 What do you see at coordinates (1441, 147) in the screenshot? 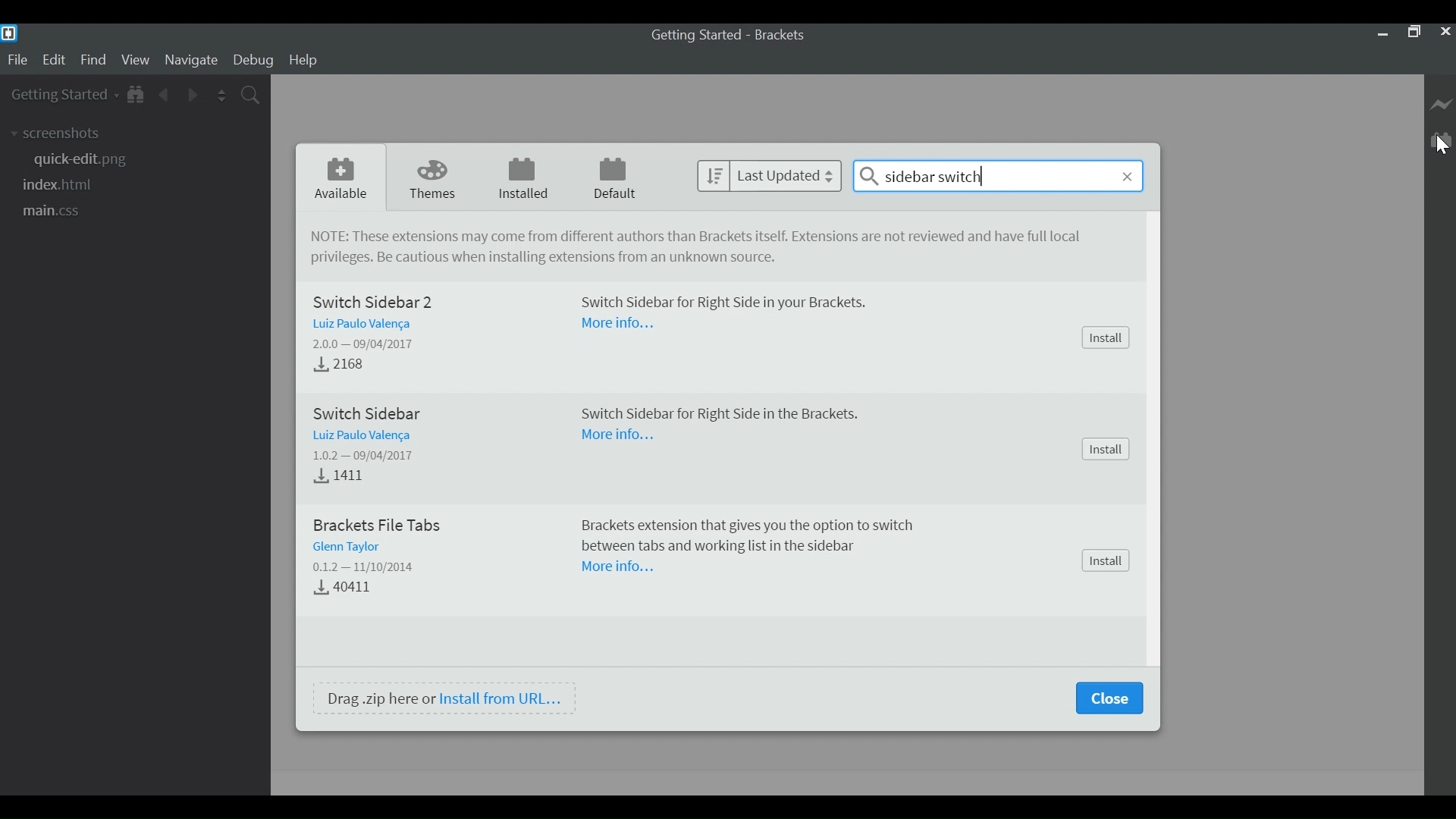
I see `Cursor` at bounding box center [1441, 147].